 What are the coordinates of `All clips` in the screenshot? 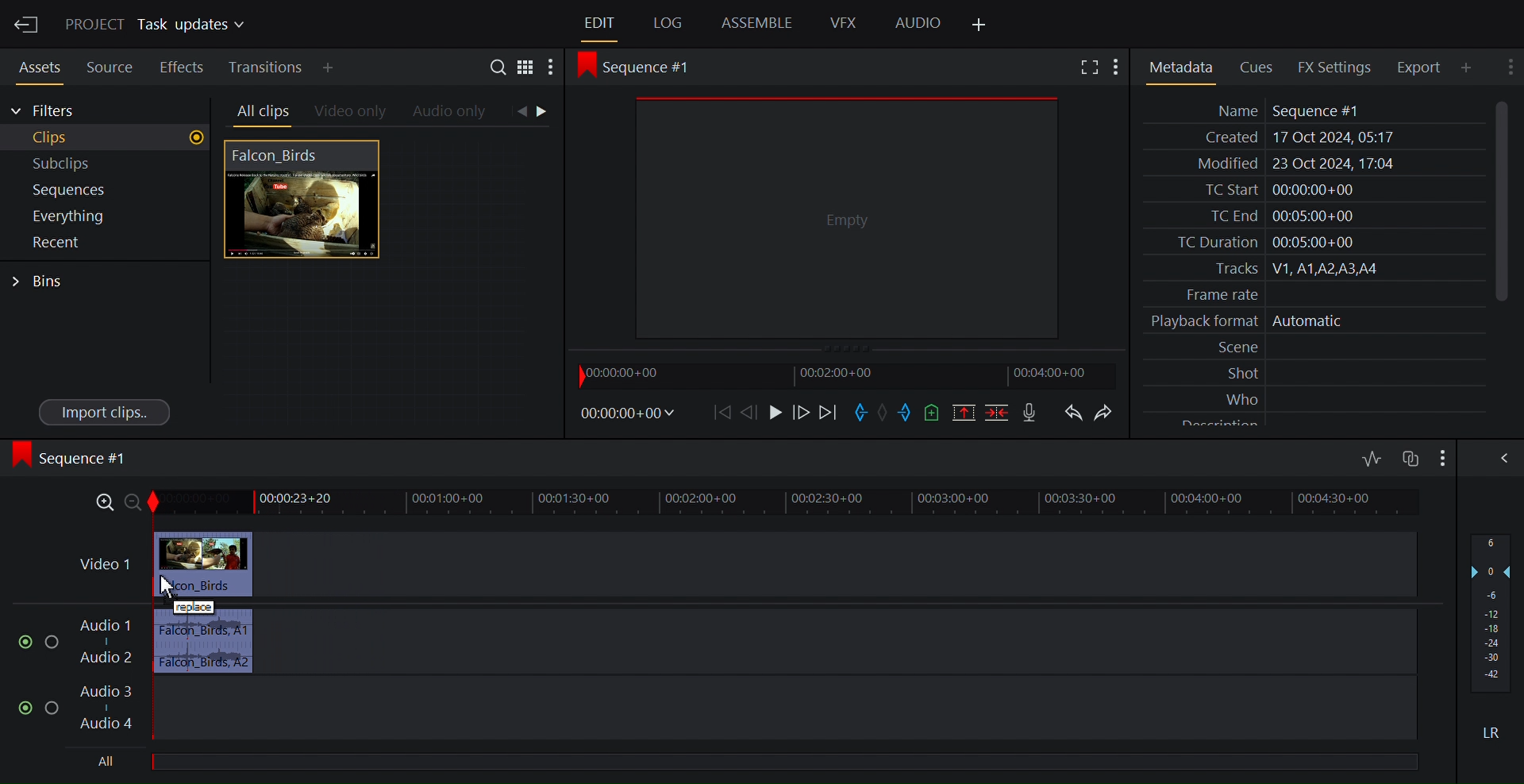 It's located at (260, 112).